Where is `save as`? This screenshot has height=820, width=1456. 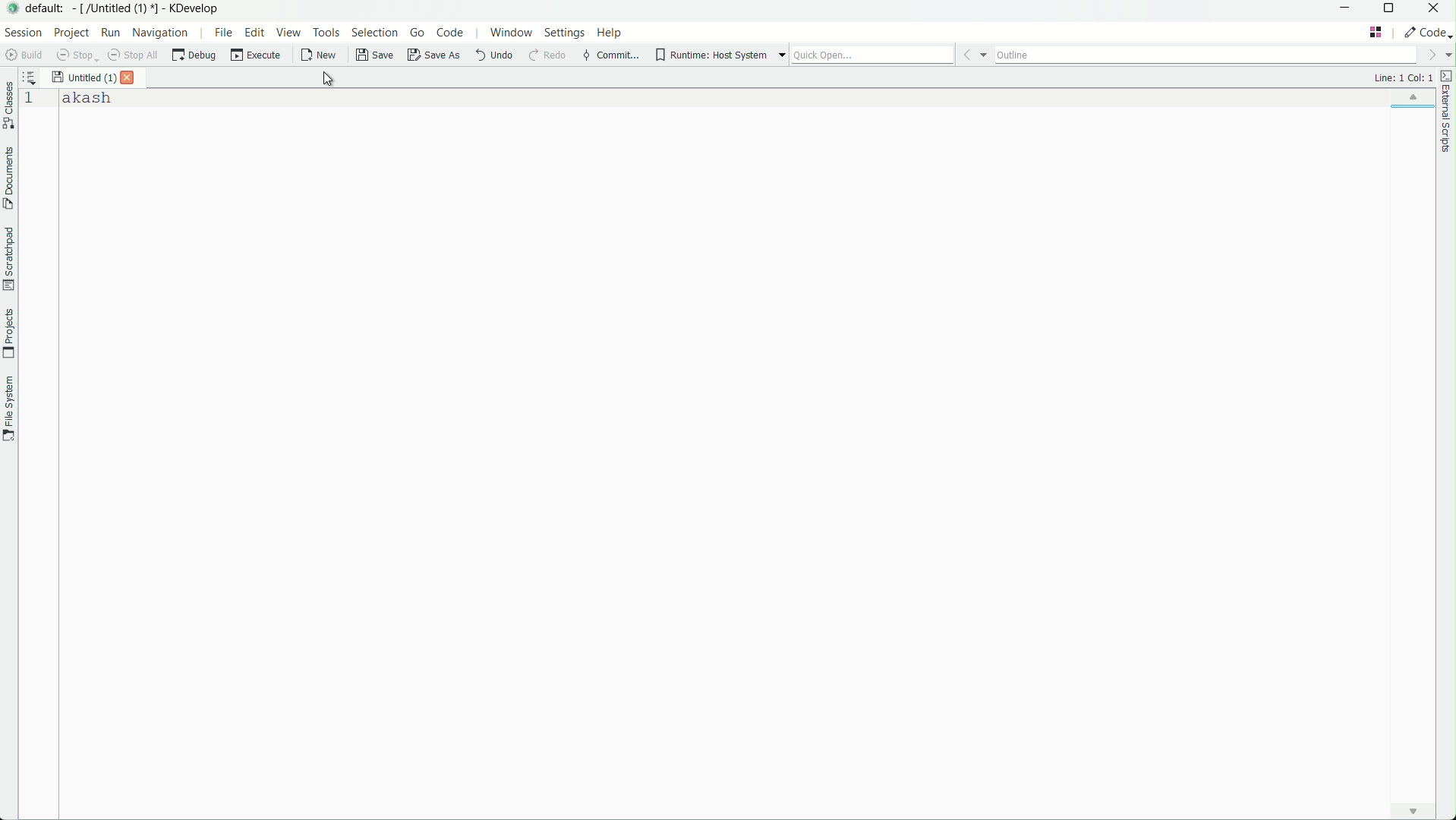 save as is located at coordinates (436, 55).